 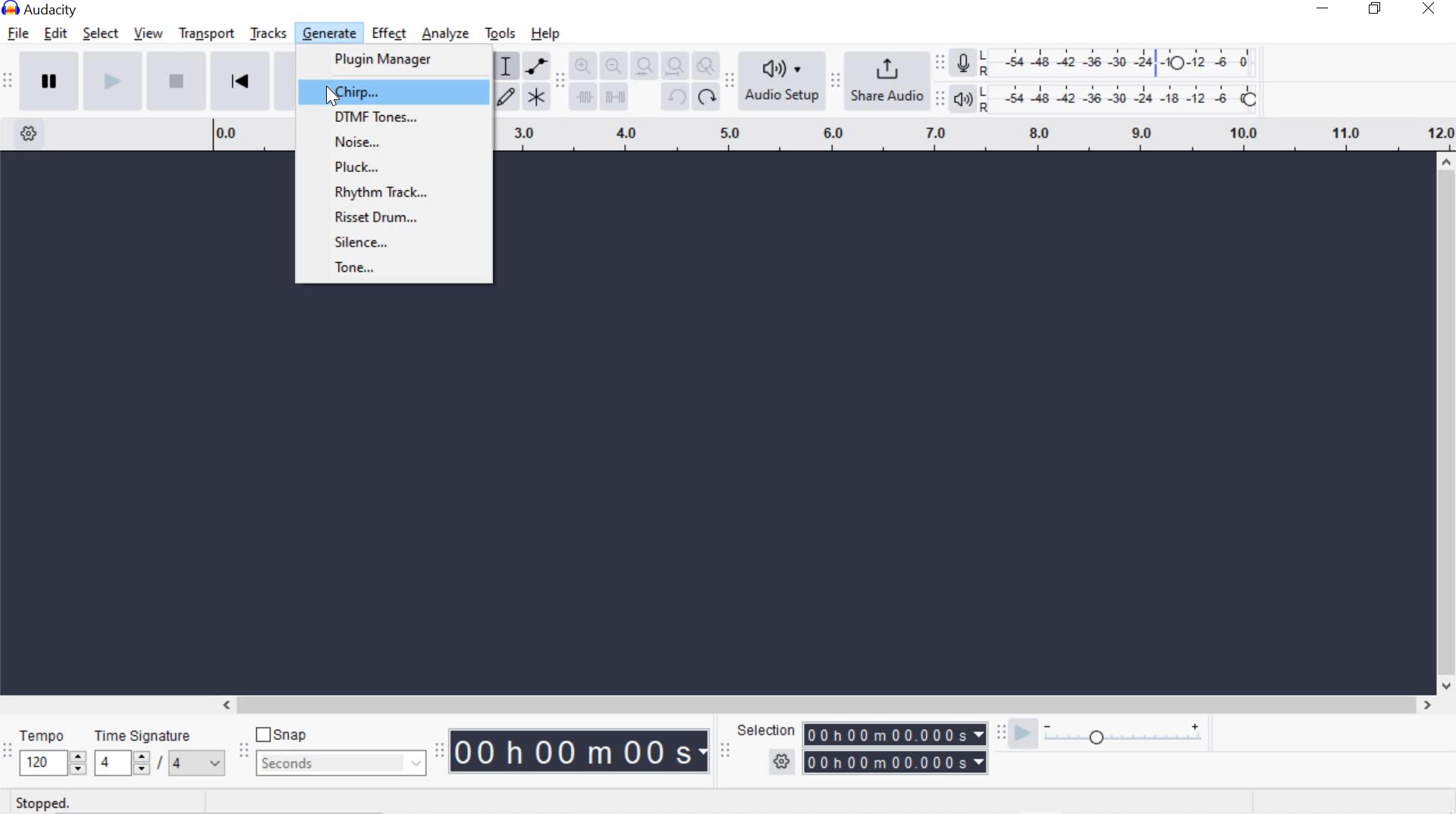 I want to click on Timeline options, so click(x=28, y=131).